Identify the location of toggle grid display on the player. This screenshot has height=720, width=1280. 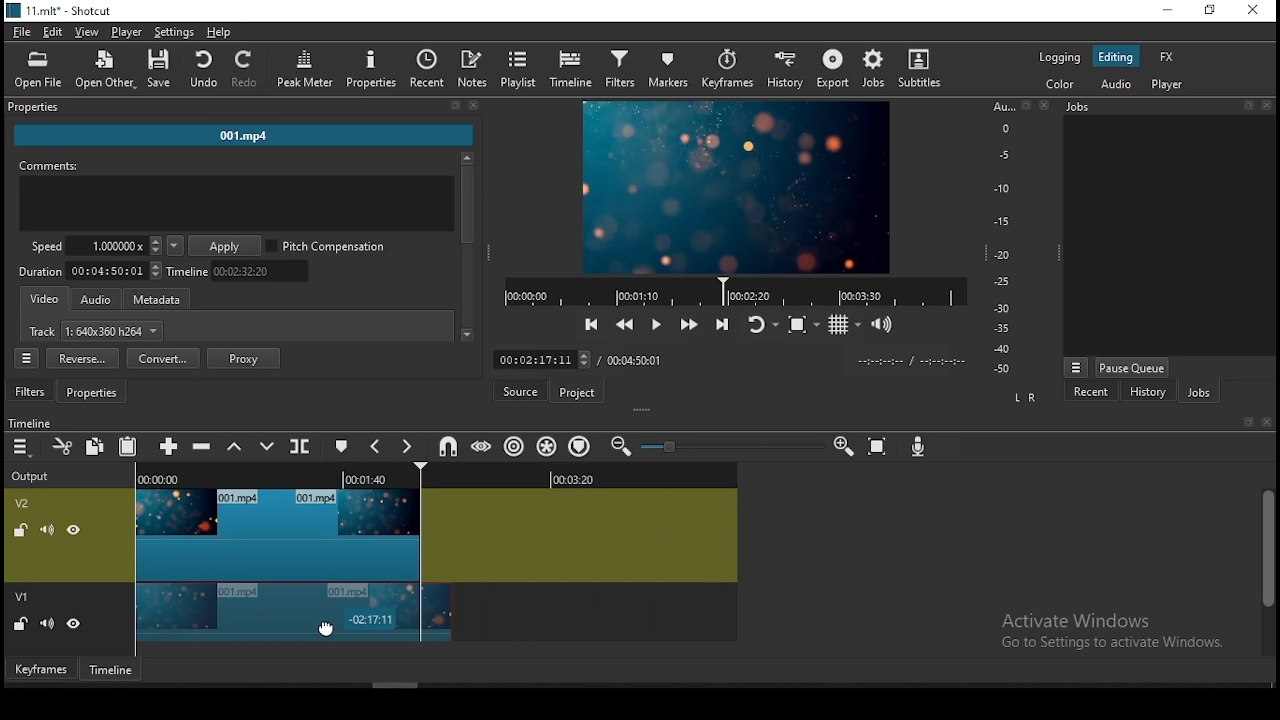
(847, 324).